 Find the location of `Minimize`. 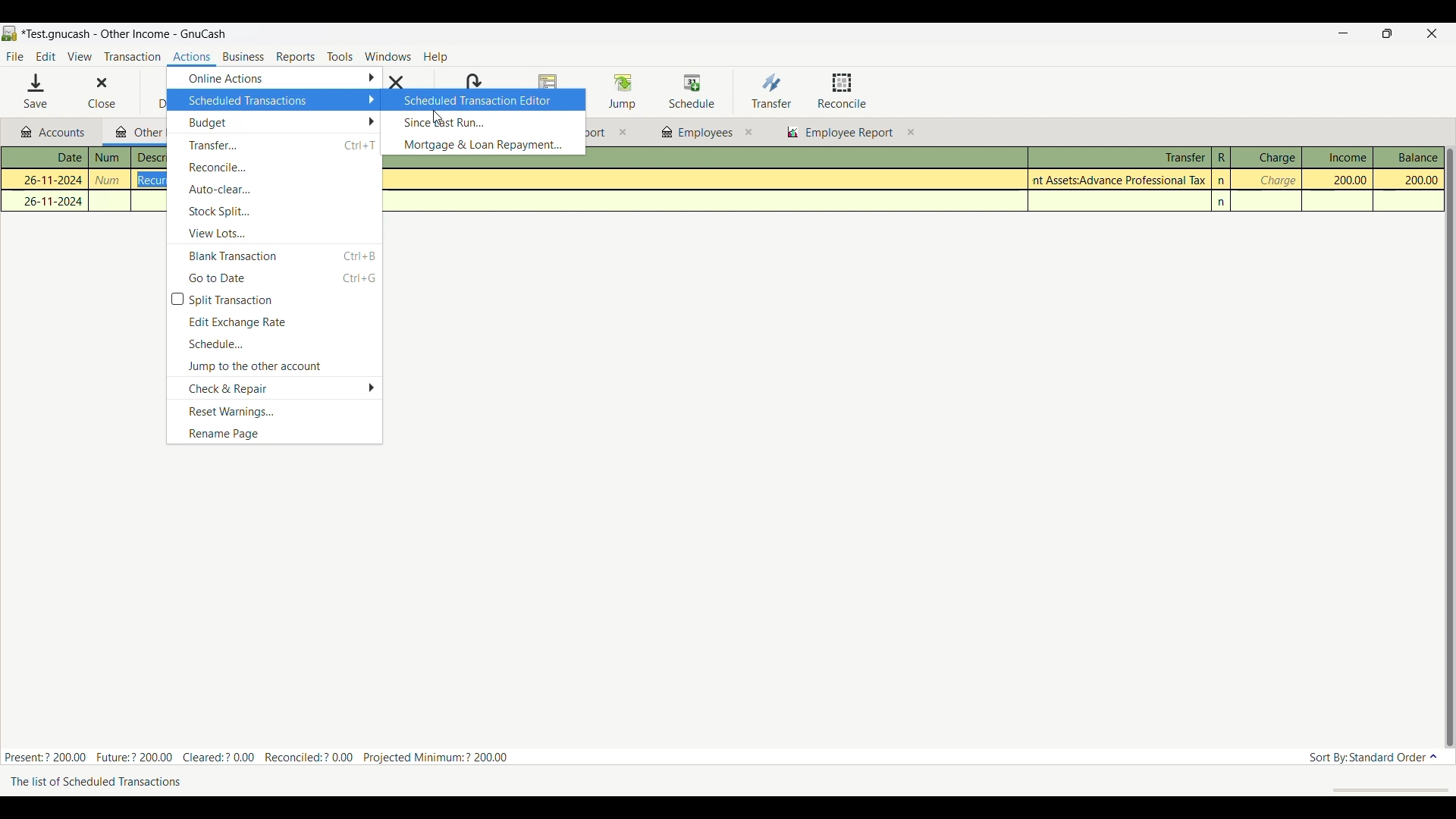

Minimize is located at coordinates (1338, 34).